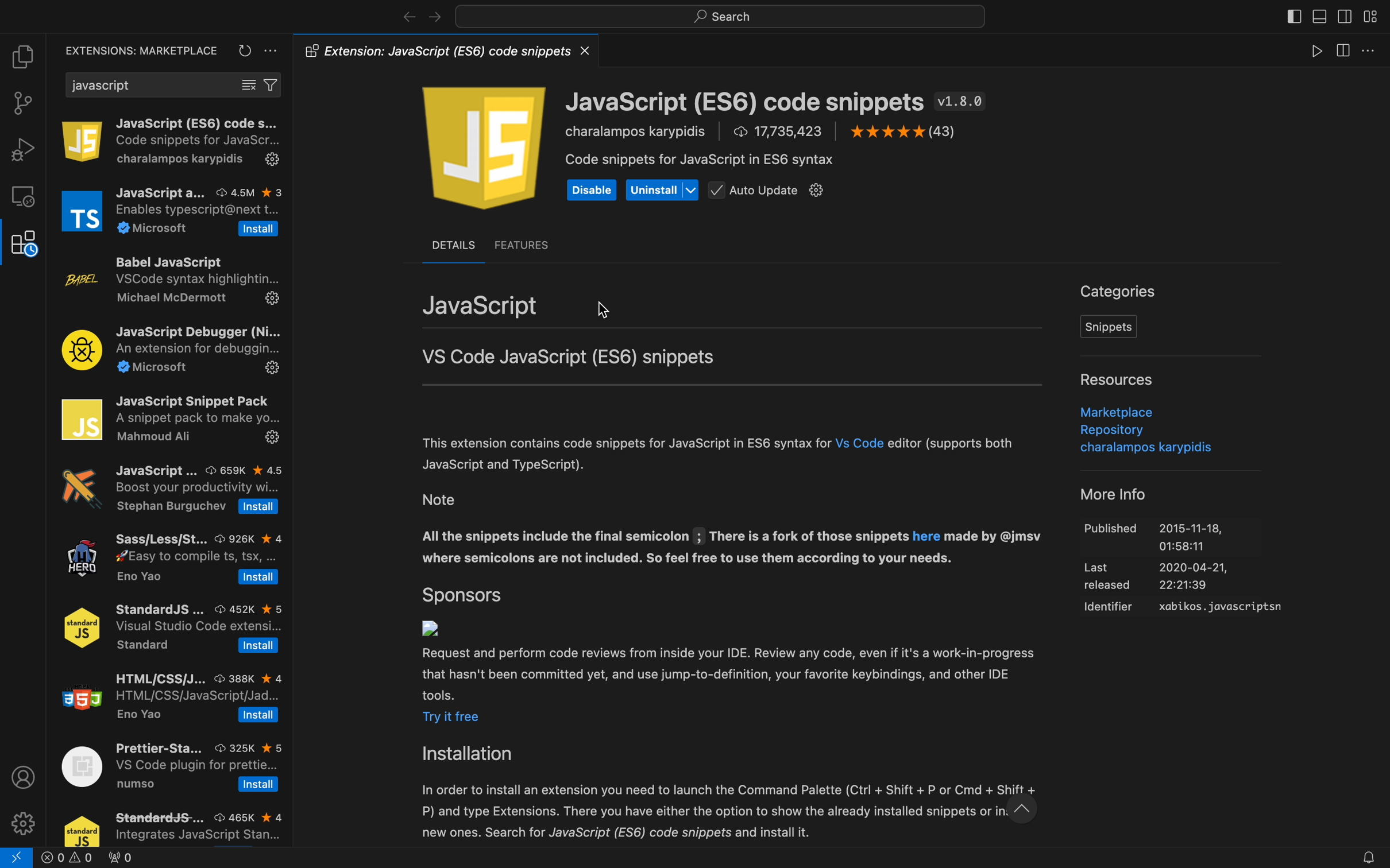 This screenshot has height=868, width=1390. I want to click on auto updatr, so click(768, 189).